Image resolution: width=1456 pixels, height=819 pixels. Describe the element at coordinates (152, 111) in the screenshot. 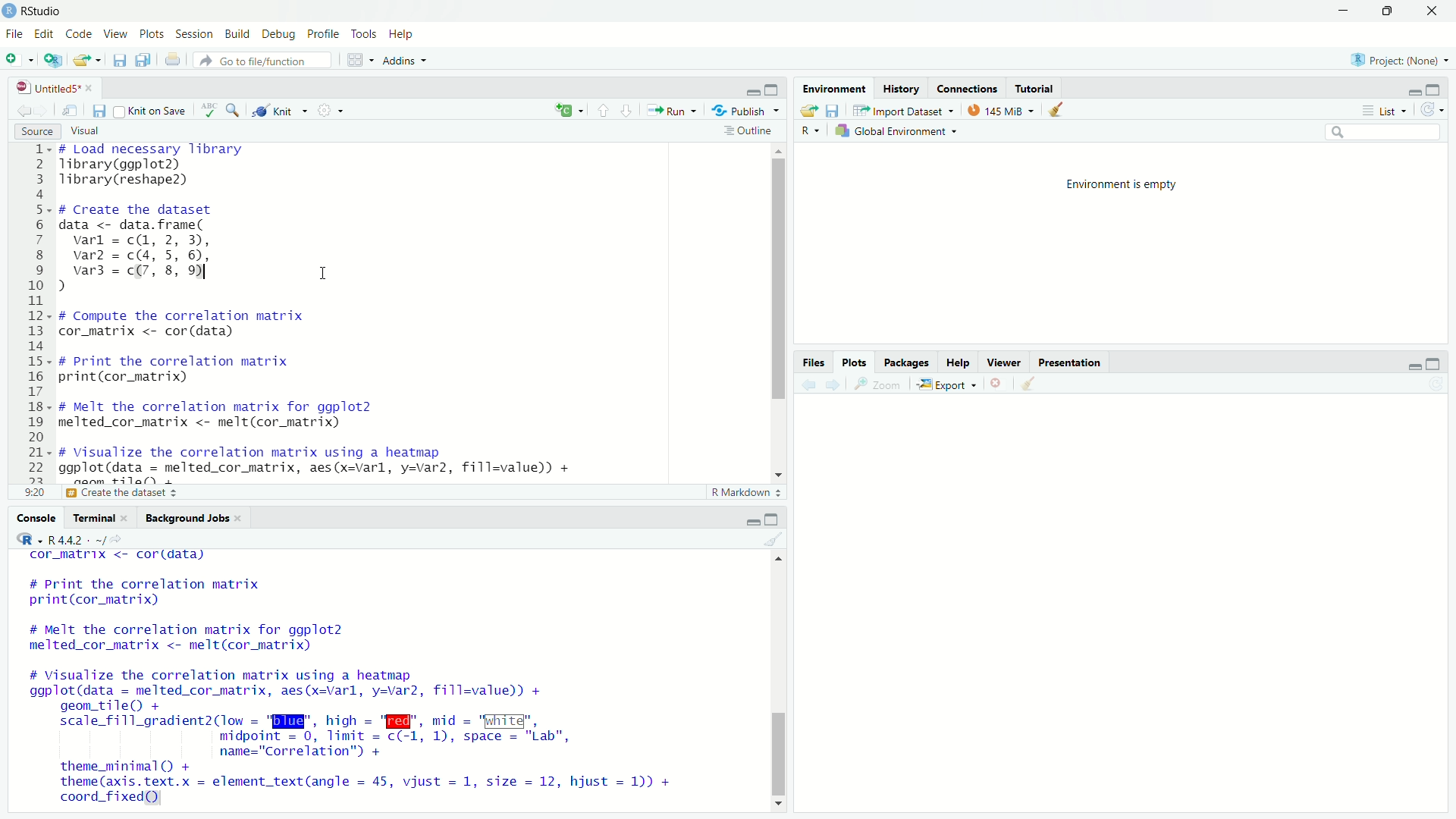

I see `knit on save` at that location.